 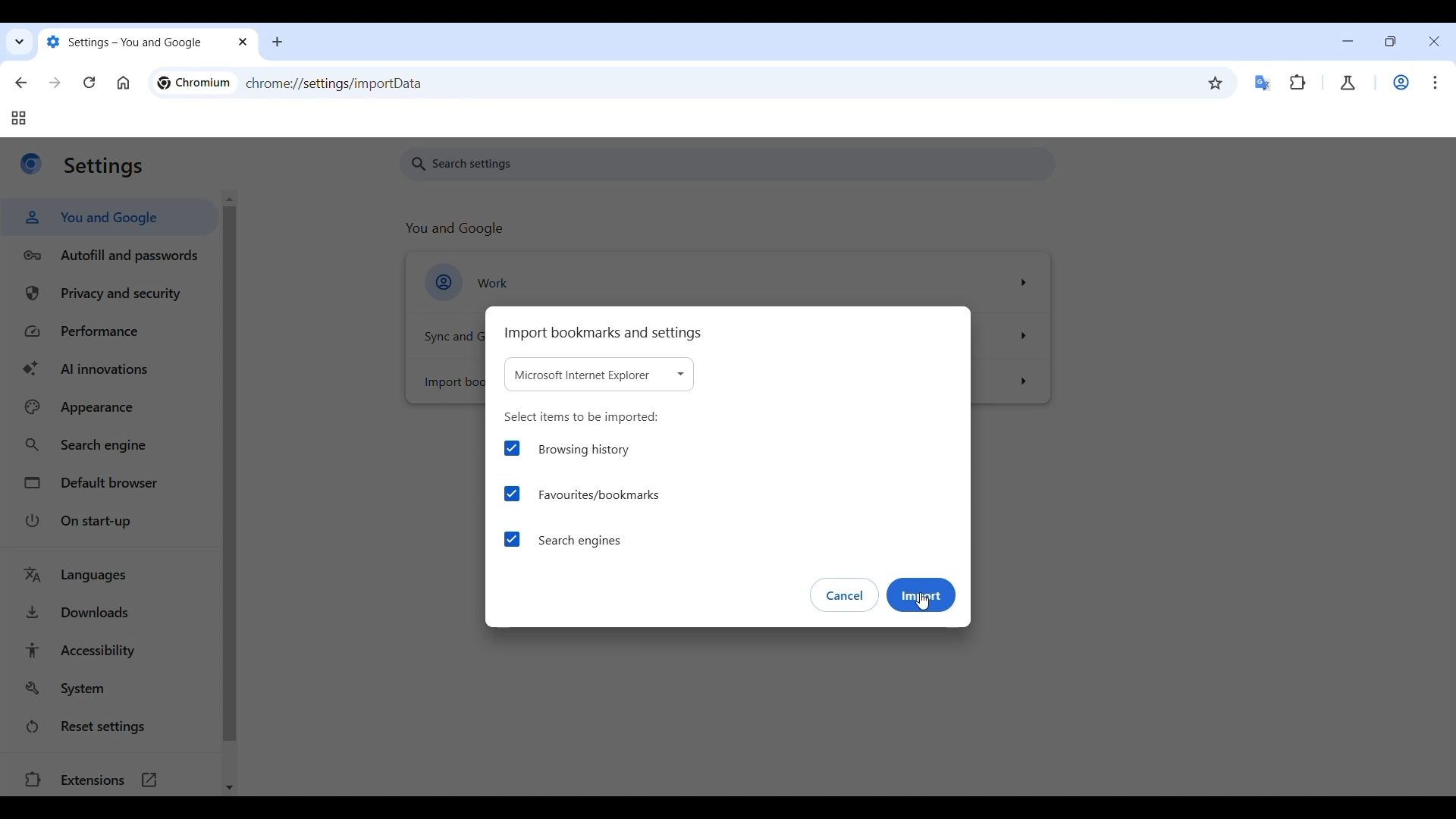 I want to click on Go to homepage, so click(x=123, y=83).